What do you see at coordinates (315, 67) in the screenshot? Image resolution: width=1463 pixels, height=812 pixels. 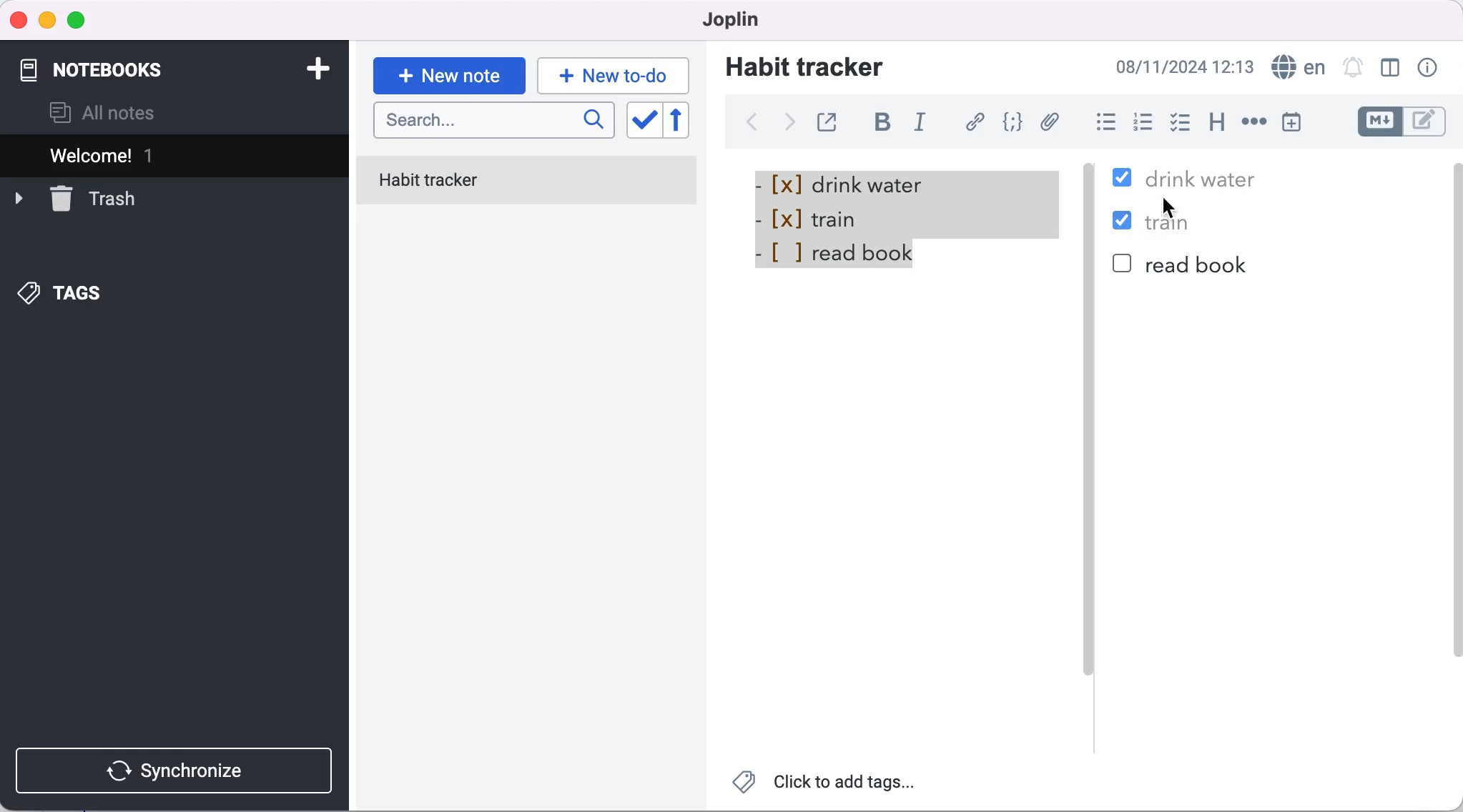 I see `add notebook` at bounding box center [315, 67].